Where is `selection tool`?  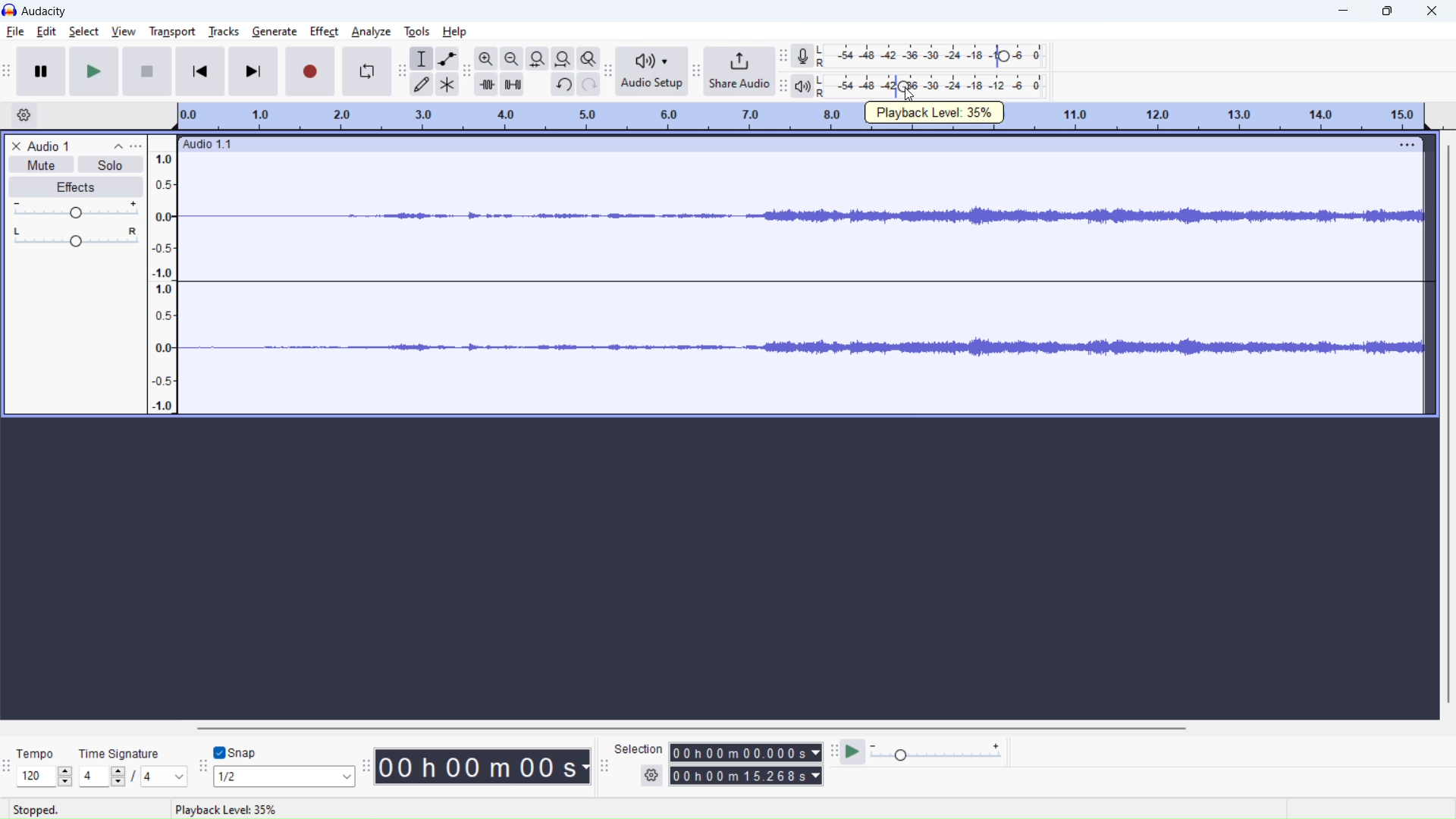
selection tool is located at coordinates (422, 58).